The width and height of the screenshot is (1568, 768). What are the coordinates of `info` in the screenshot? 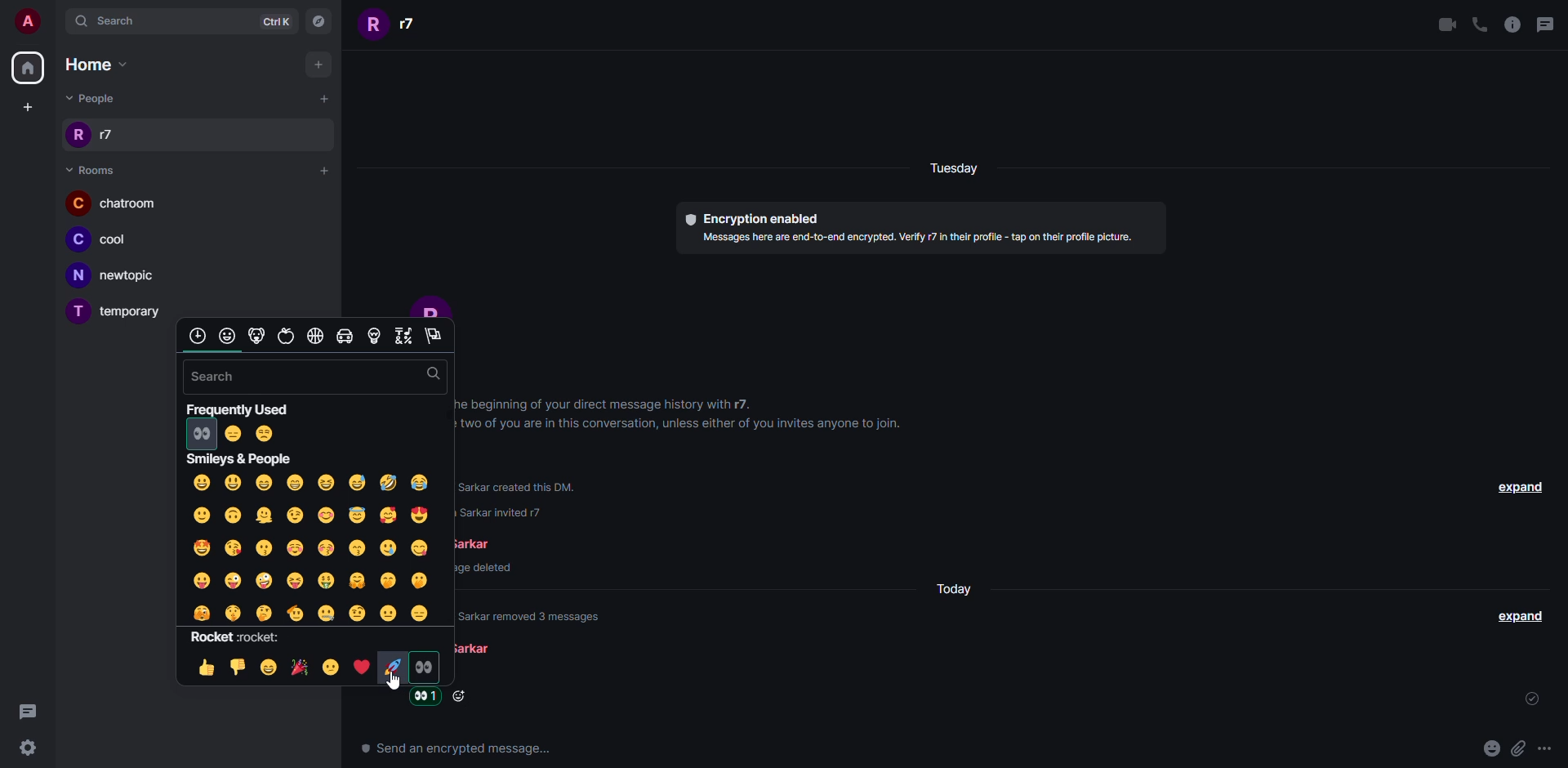 It's located at (540, 614).